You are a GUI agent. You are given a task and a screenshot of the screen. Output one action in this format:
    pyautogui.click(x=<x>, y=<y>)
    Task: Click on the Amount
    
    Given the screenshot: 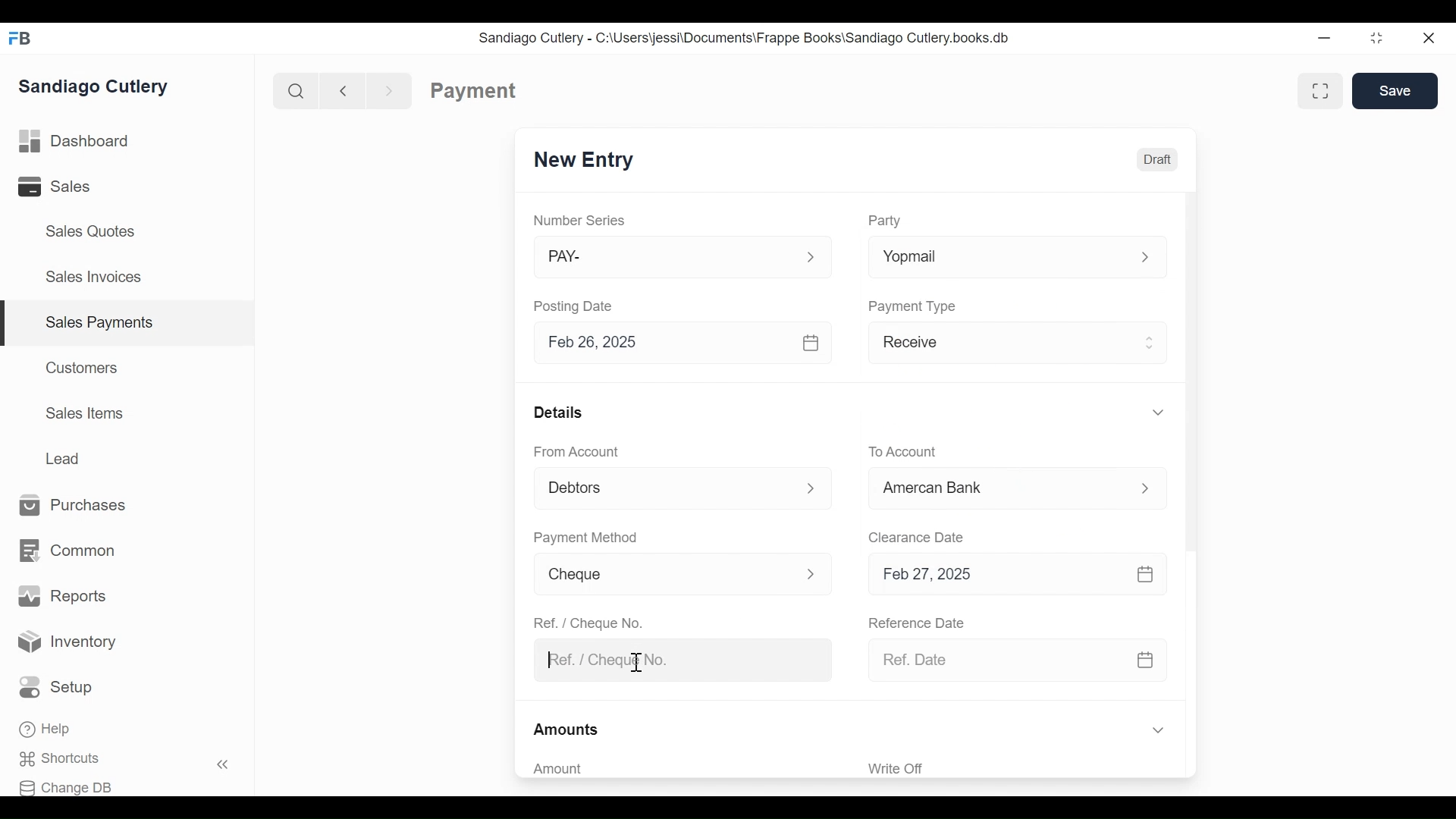 What is the action you would take?
    pyautogui.click(x=675, y=769)
    